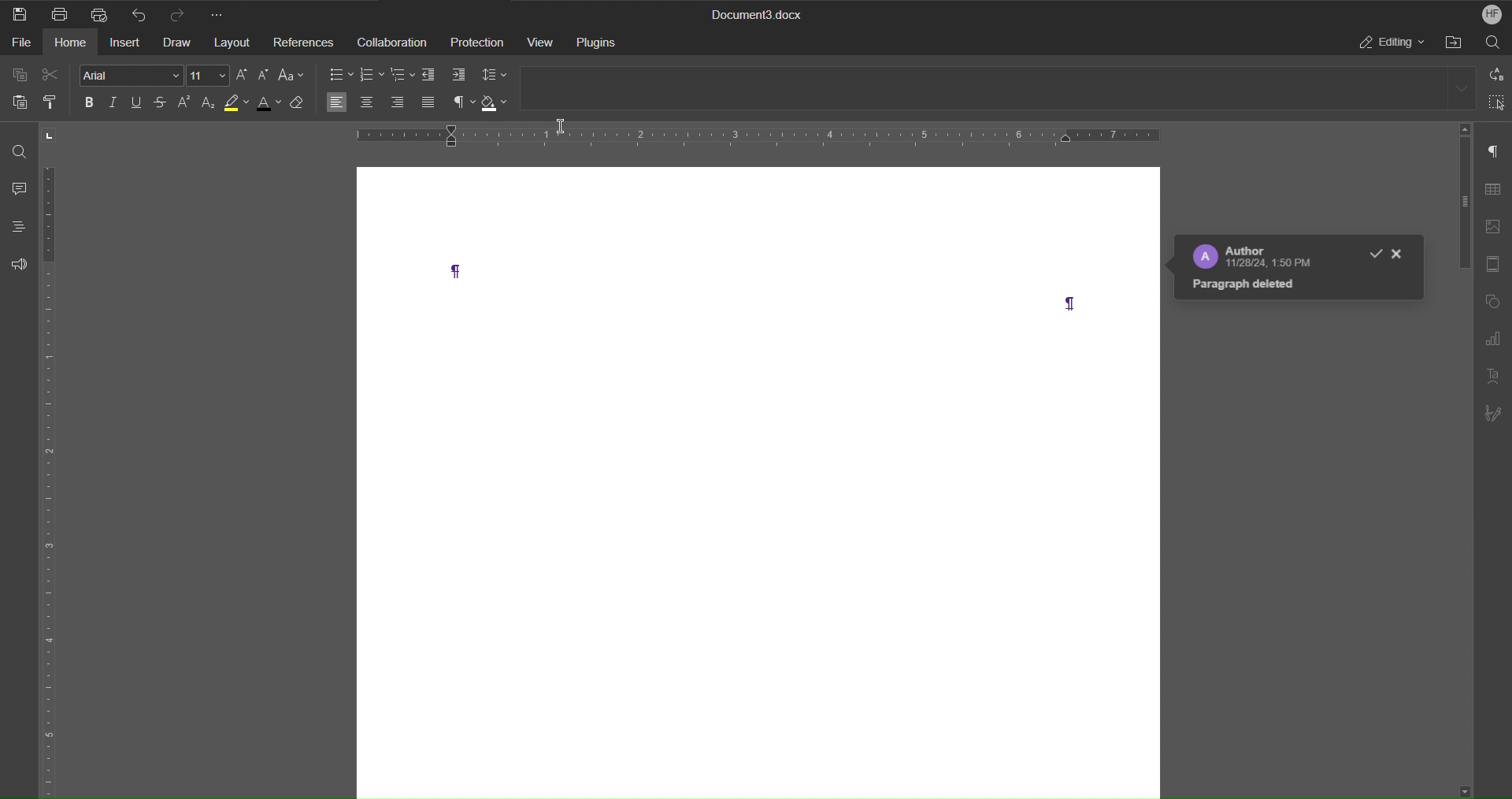 This screenshot has width=1512, height=799. I want to click on Horizontal Ruler, so click(786, 133).